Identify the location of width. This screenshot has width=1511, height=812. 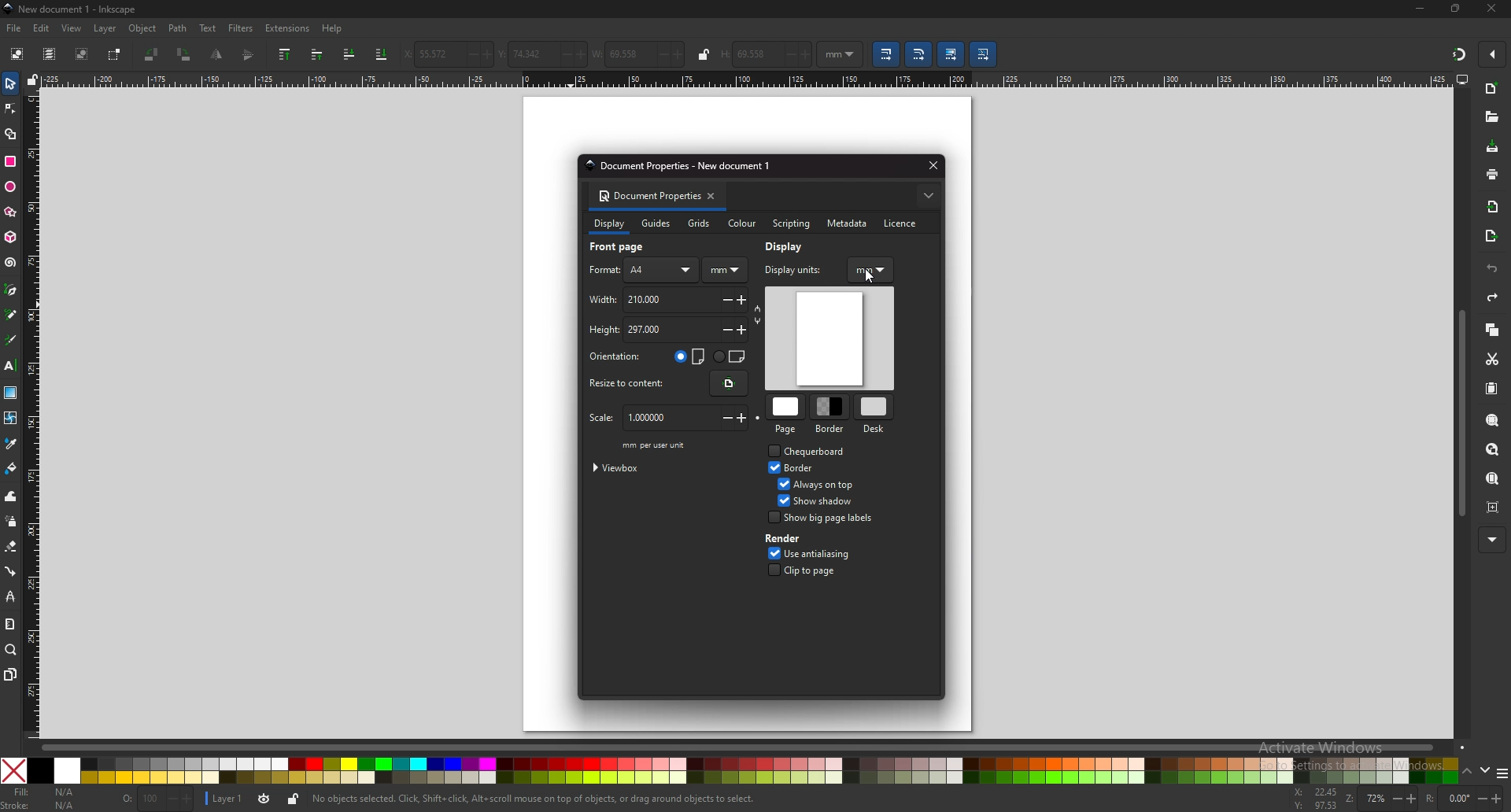
(638, 299).